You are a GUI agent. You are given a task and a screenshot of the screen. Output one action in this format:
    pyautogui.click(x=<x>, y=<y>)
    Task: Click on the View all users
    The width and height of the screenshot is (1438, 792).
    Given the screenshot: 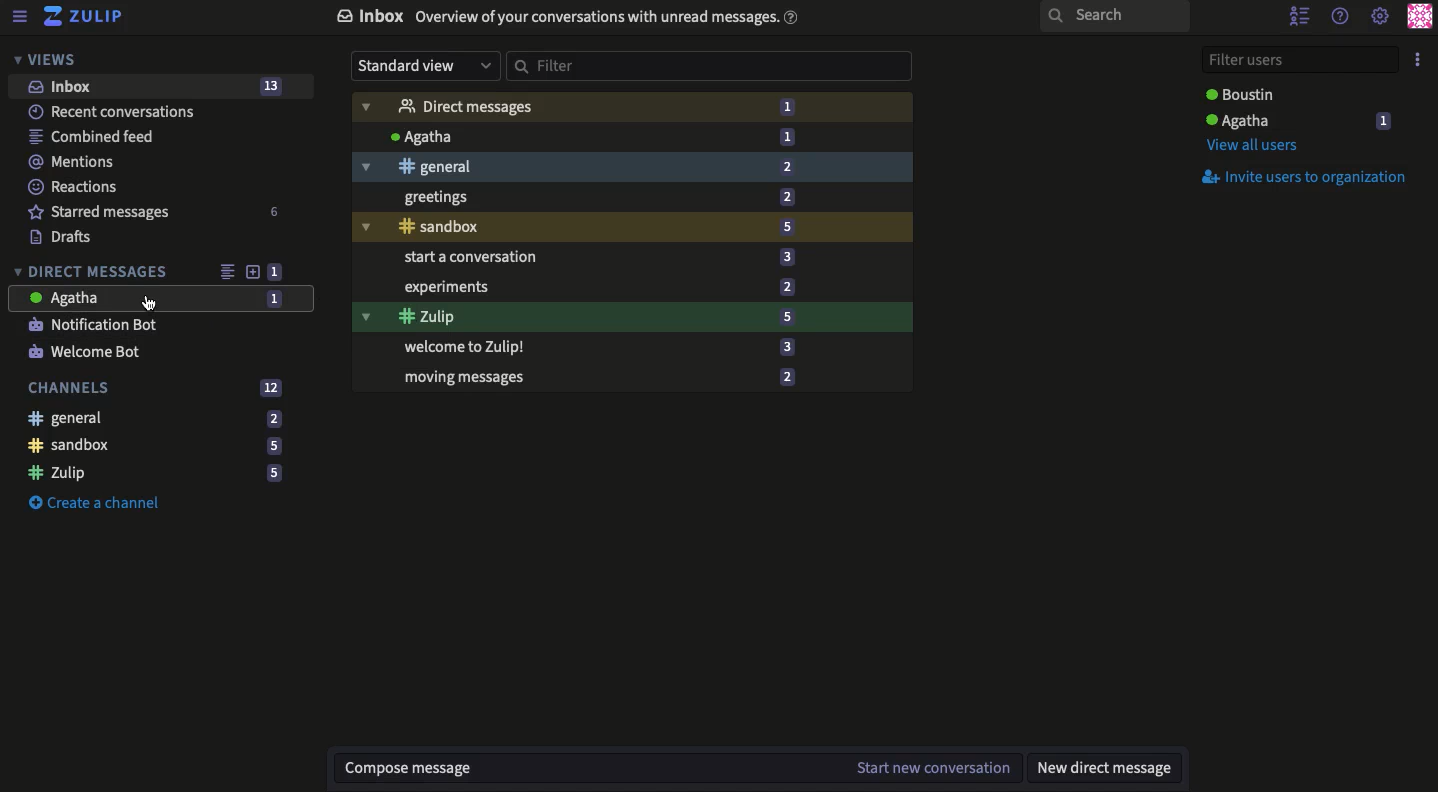 What is the action you would take?
    pyautogui.click(x=1260, y=147)
    